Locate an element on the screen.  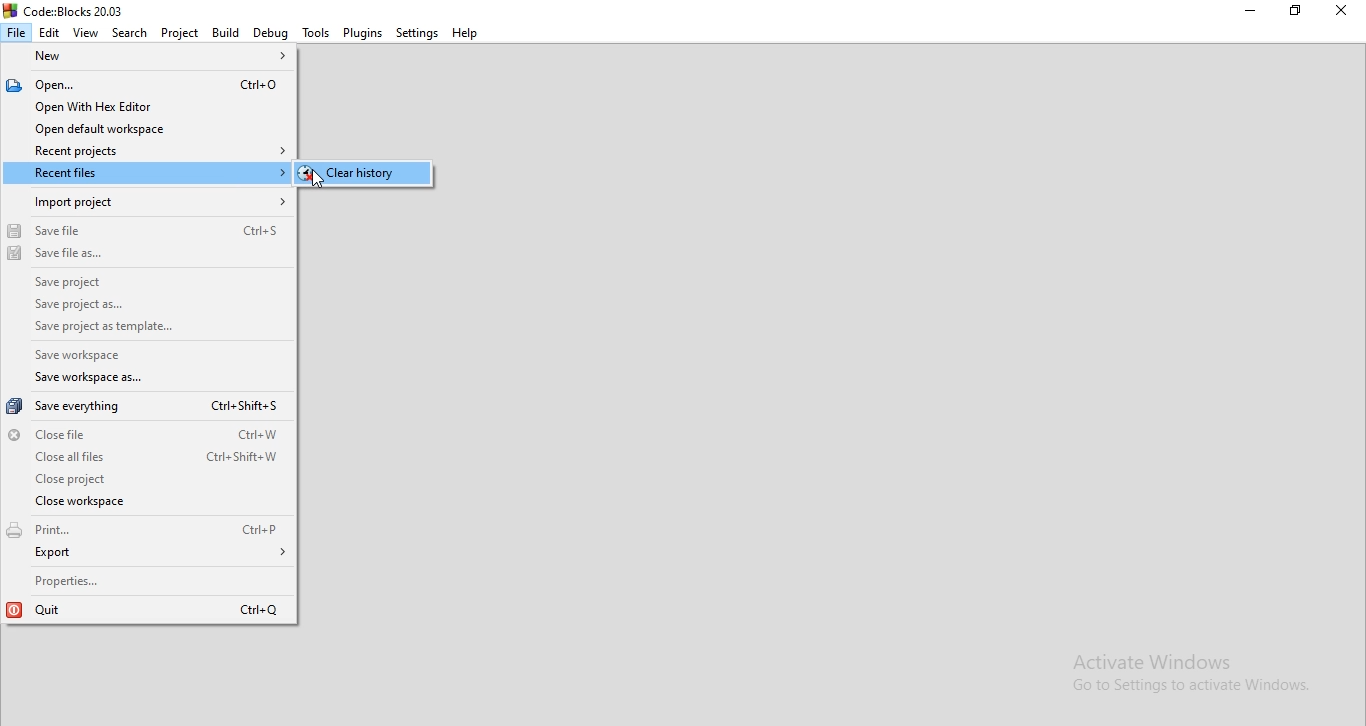
Close File is located at coordinates (142, 434).